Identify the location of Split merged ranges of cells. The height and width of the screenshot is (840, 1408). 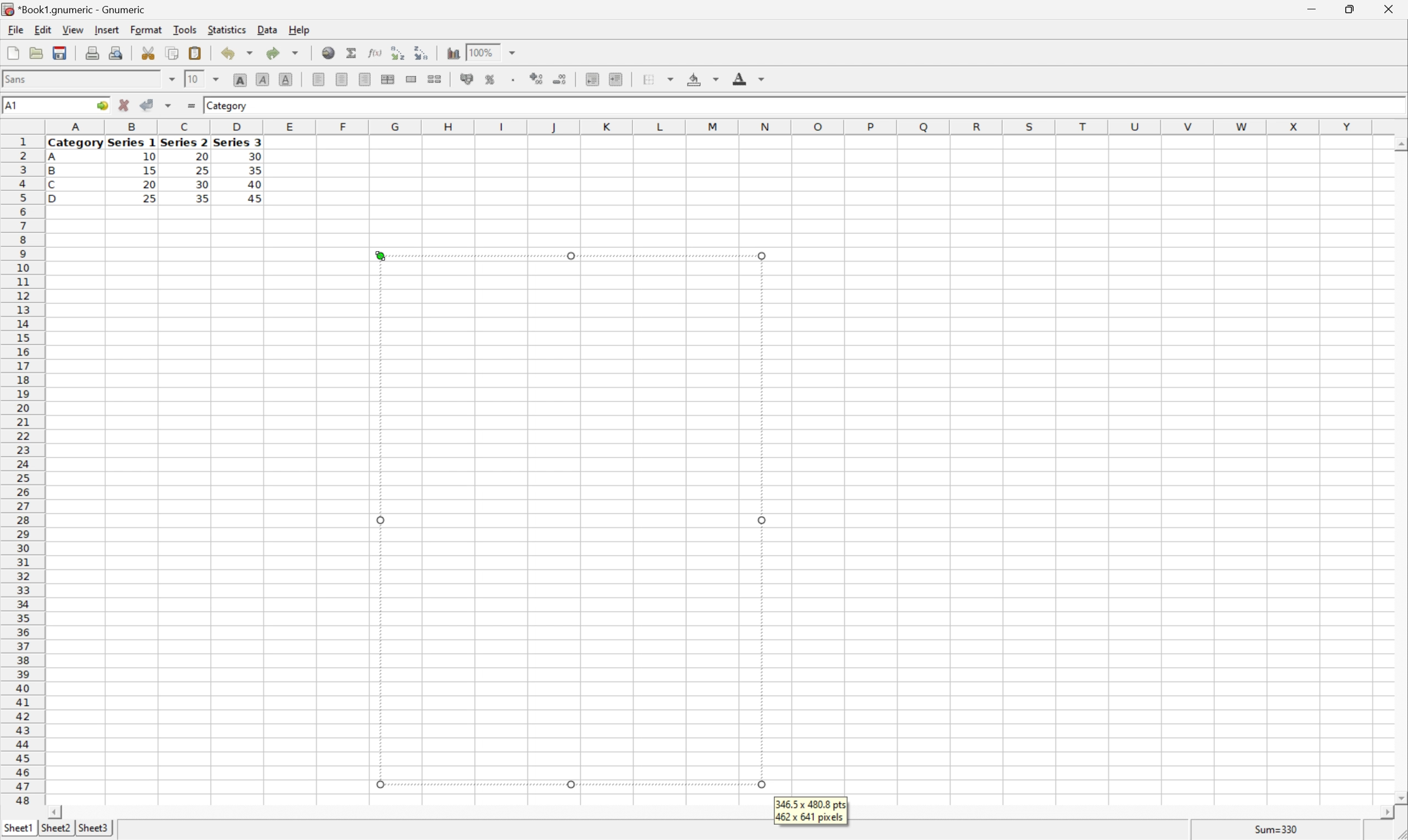
(434, 80).